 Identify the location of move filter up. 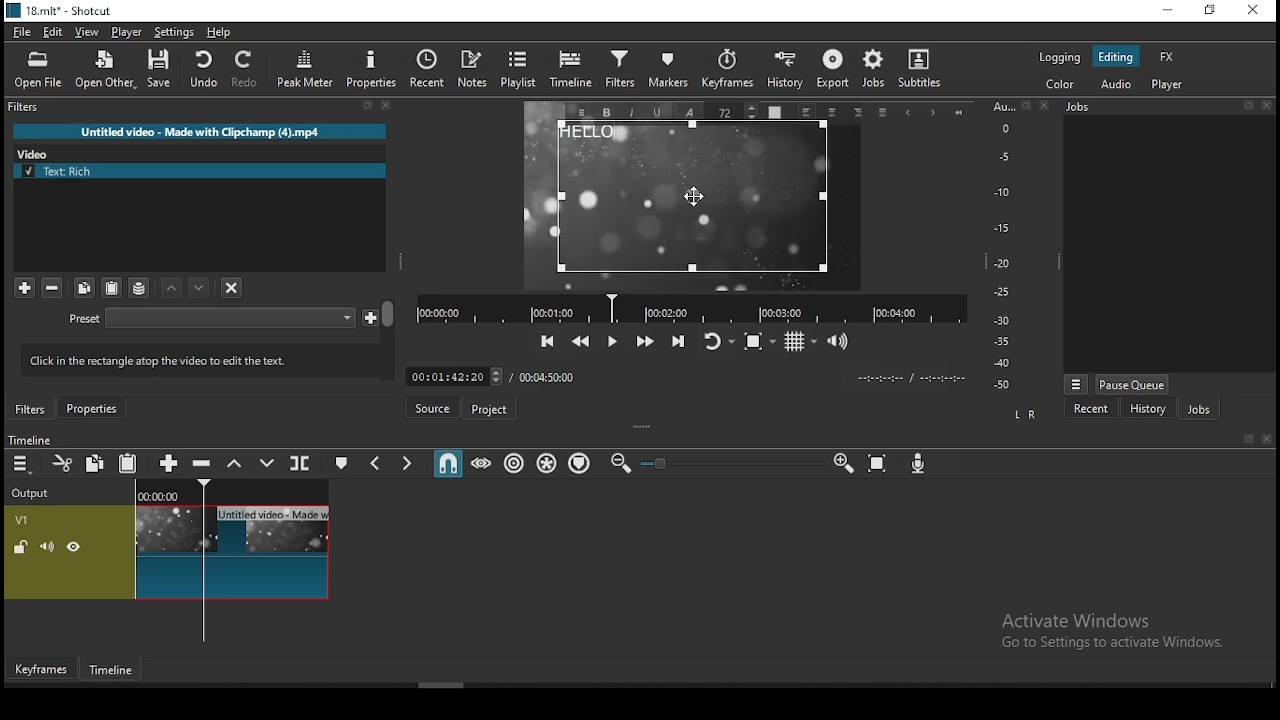
(201, 287).